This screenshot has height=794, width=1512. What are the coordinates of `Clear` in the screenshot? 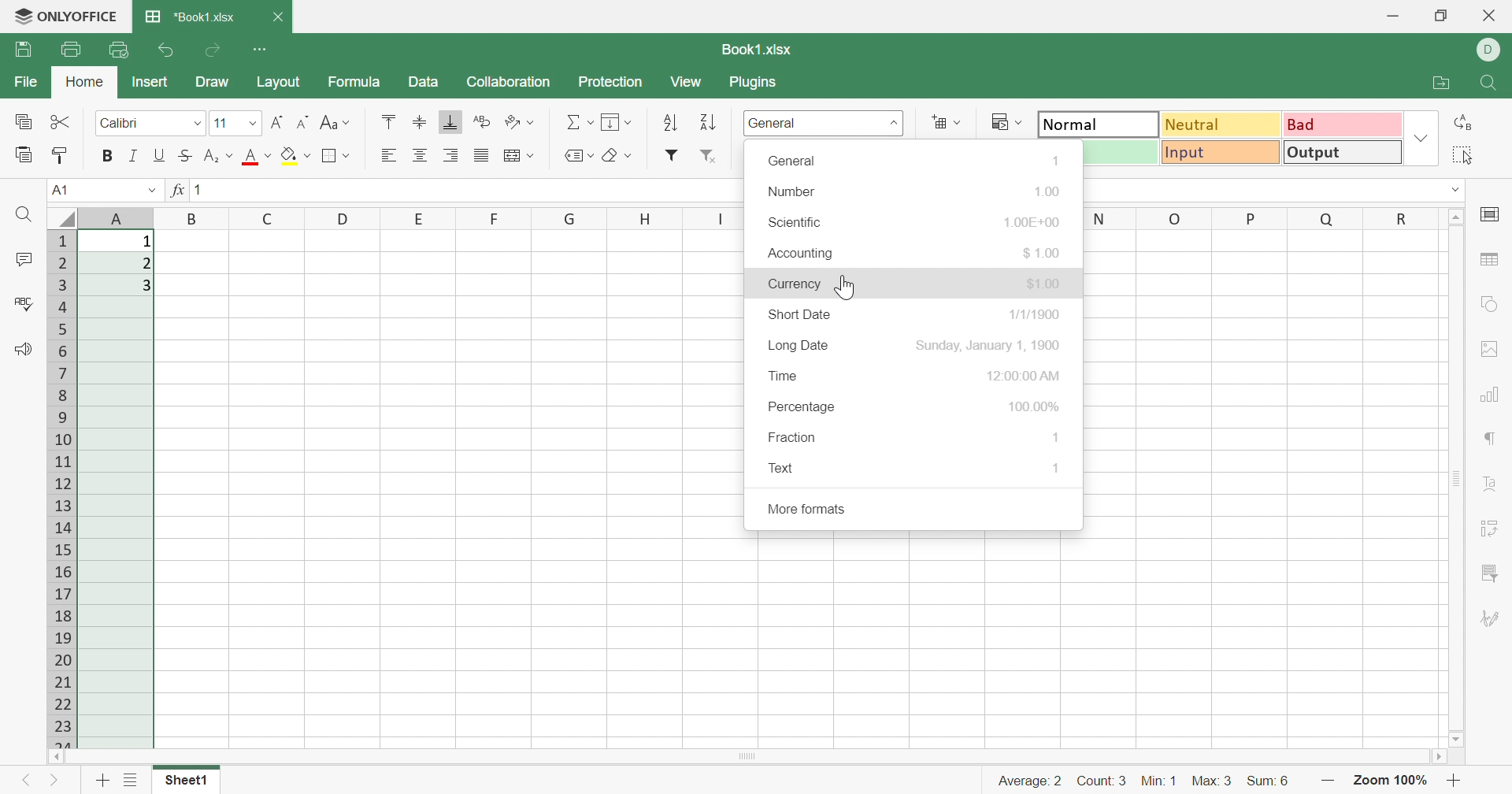 It's located at (617, 157).